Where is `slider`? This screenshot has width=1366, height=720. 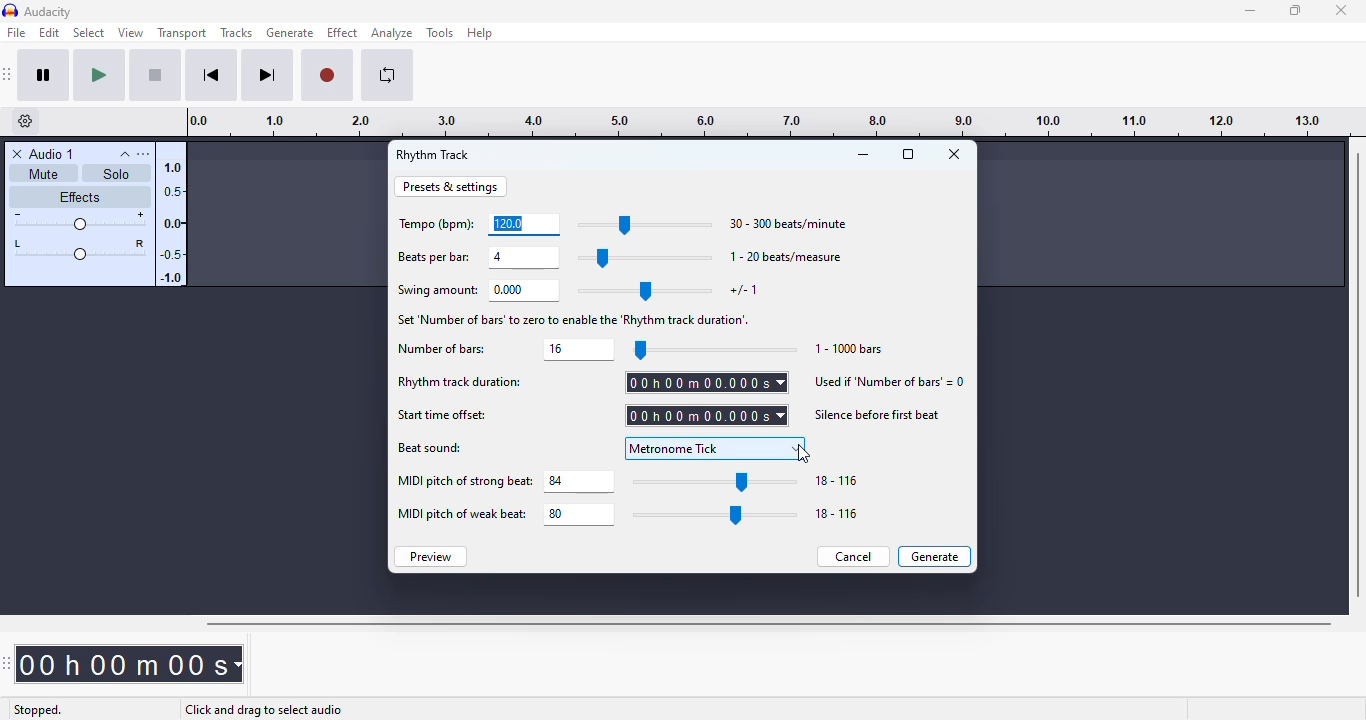
slider is located at coordinates (645, 224).